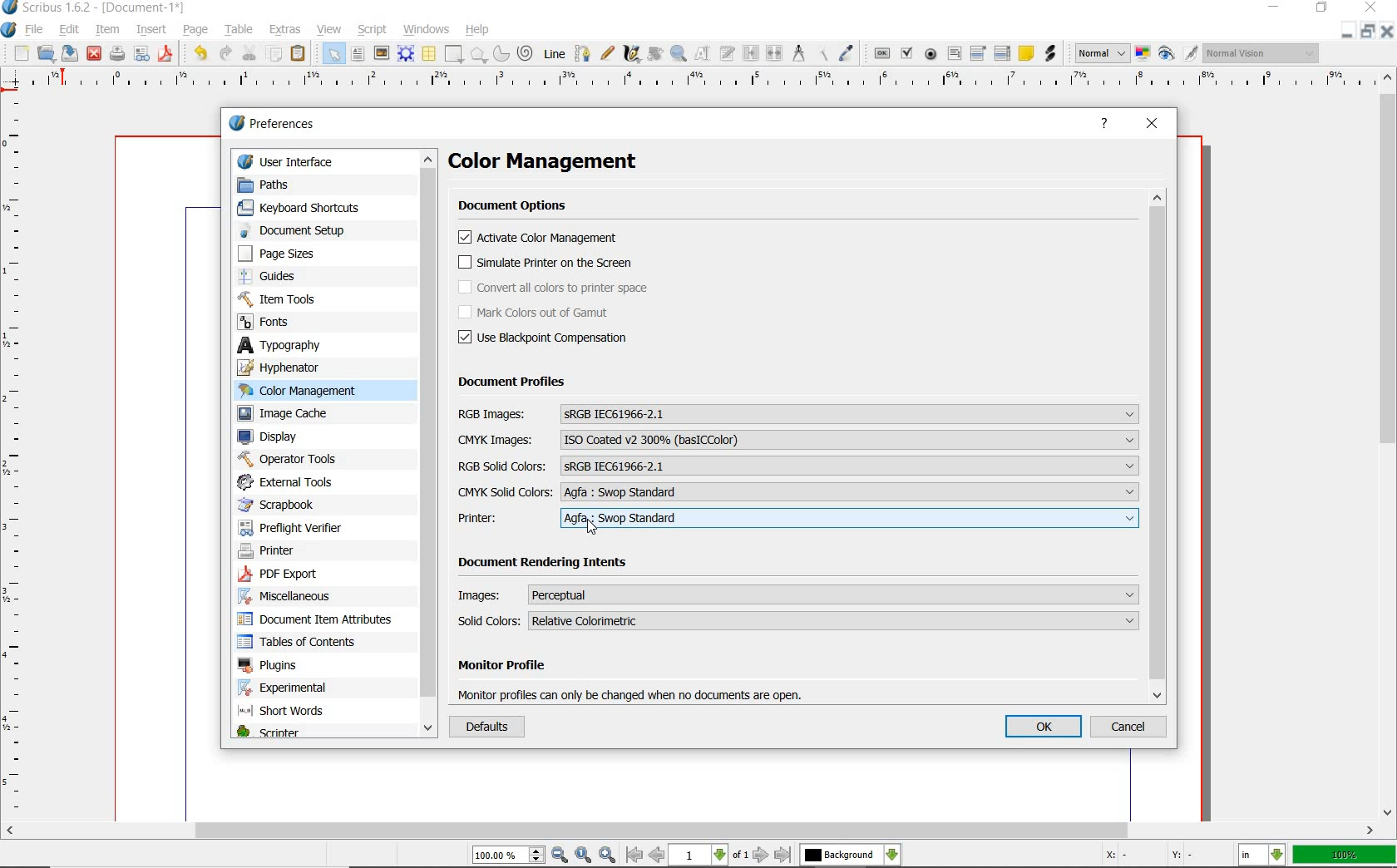  Describe the element at coordinates (848, 52) in the screenshot. I see `eye dropper` at that location.